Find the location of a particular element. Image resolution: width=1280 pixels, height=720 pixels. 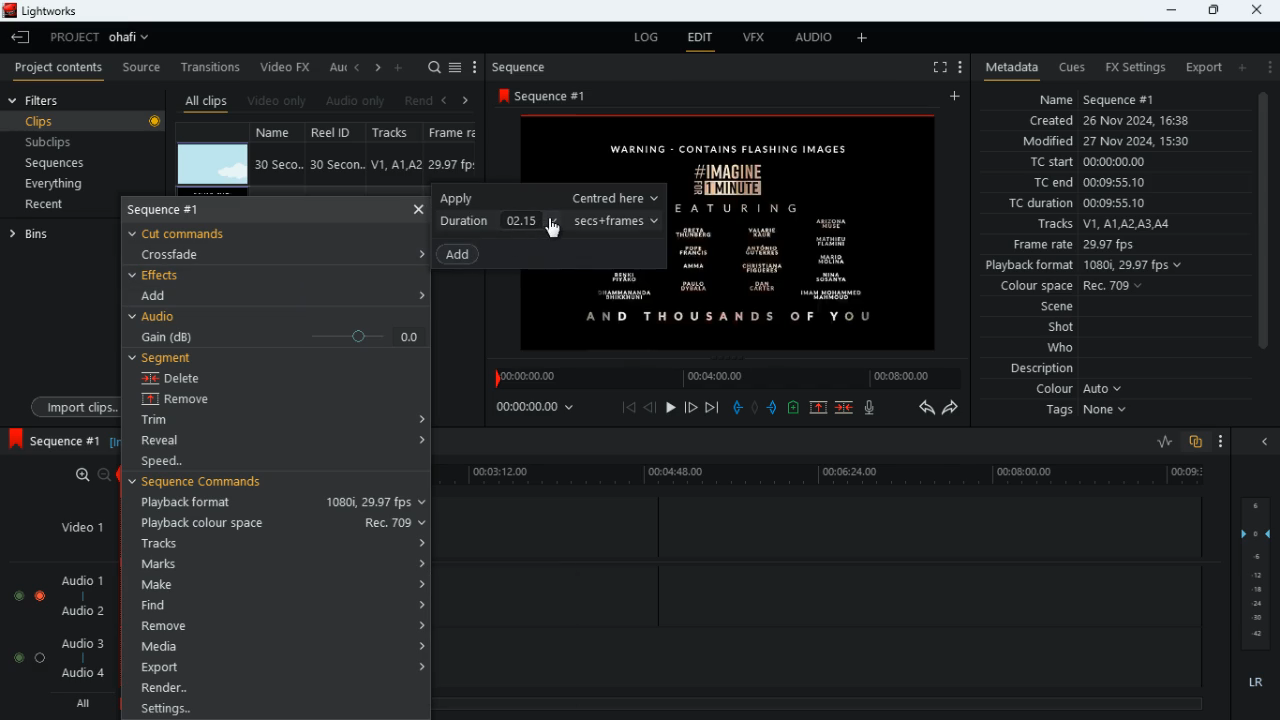

duration is located at coordinates (502, 219).